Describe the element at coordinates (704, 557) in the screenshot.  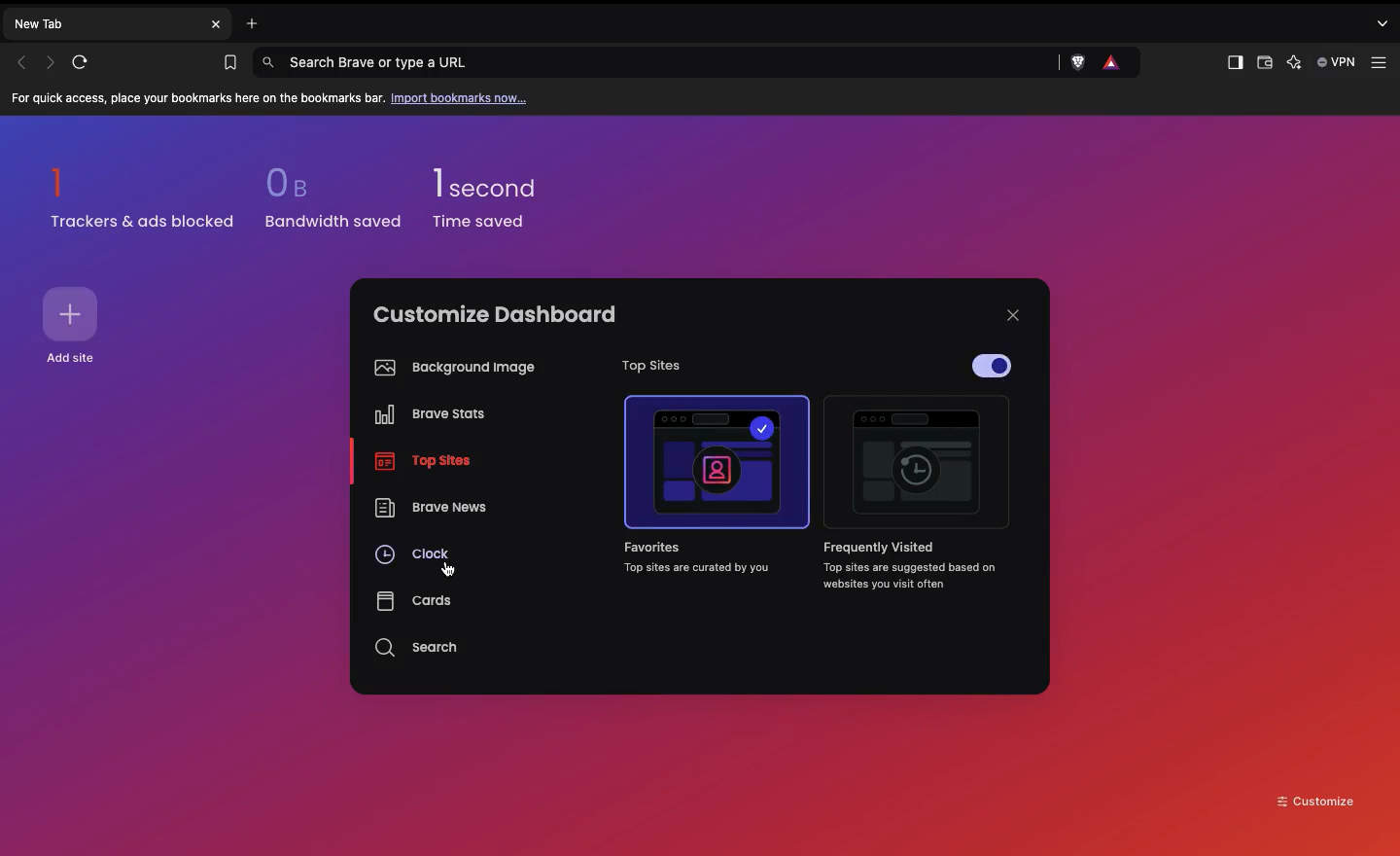
I see `Favorites Top sites are curated by you` at that location.